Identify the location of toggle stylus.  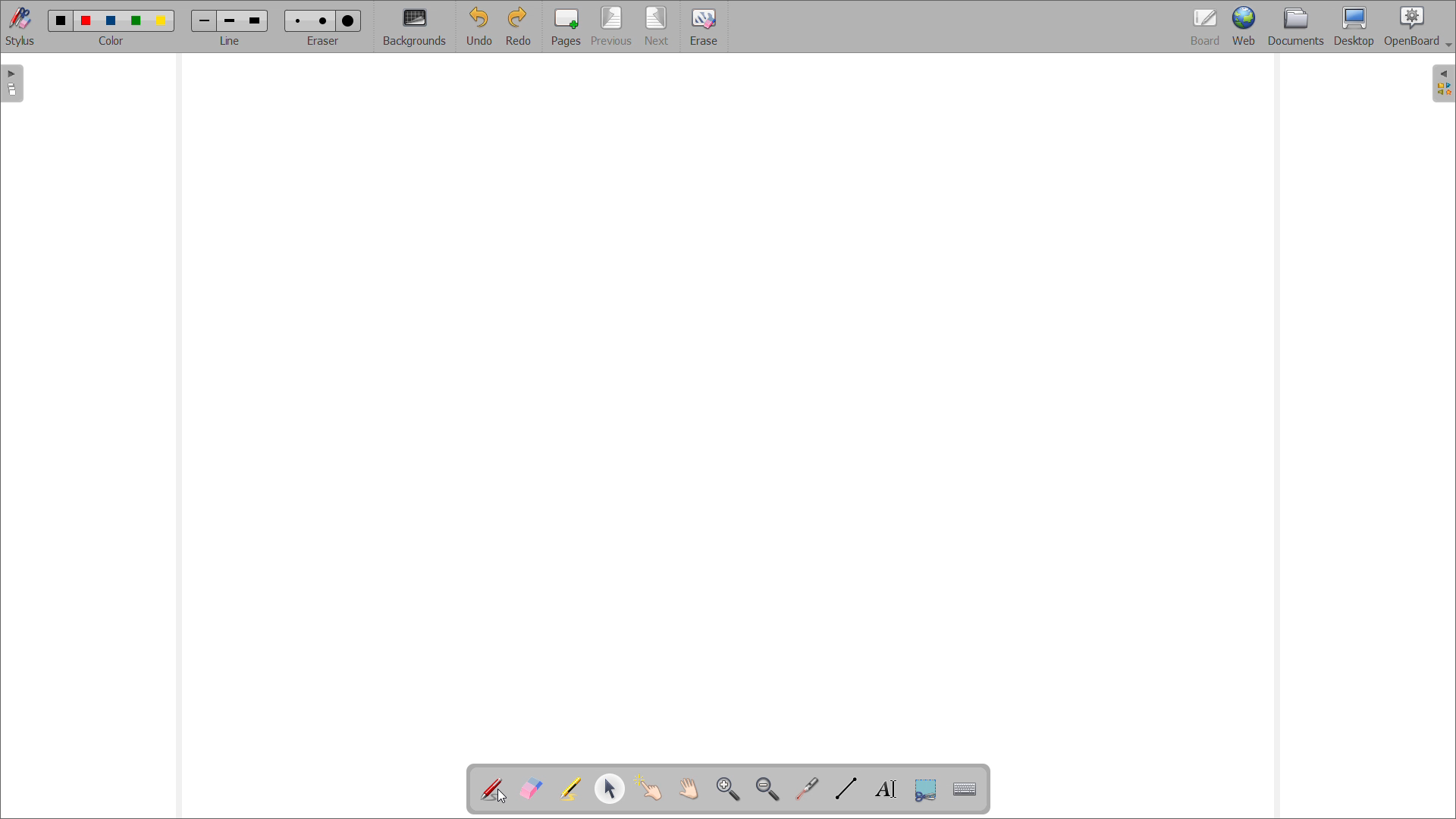
(20, 26).